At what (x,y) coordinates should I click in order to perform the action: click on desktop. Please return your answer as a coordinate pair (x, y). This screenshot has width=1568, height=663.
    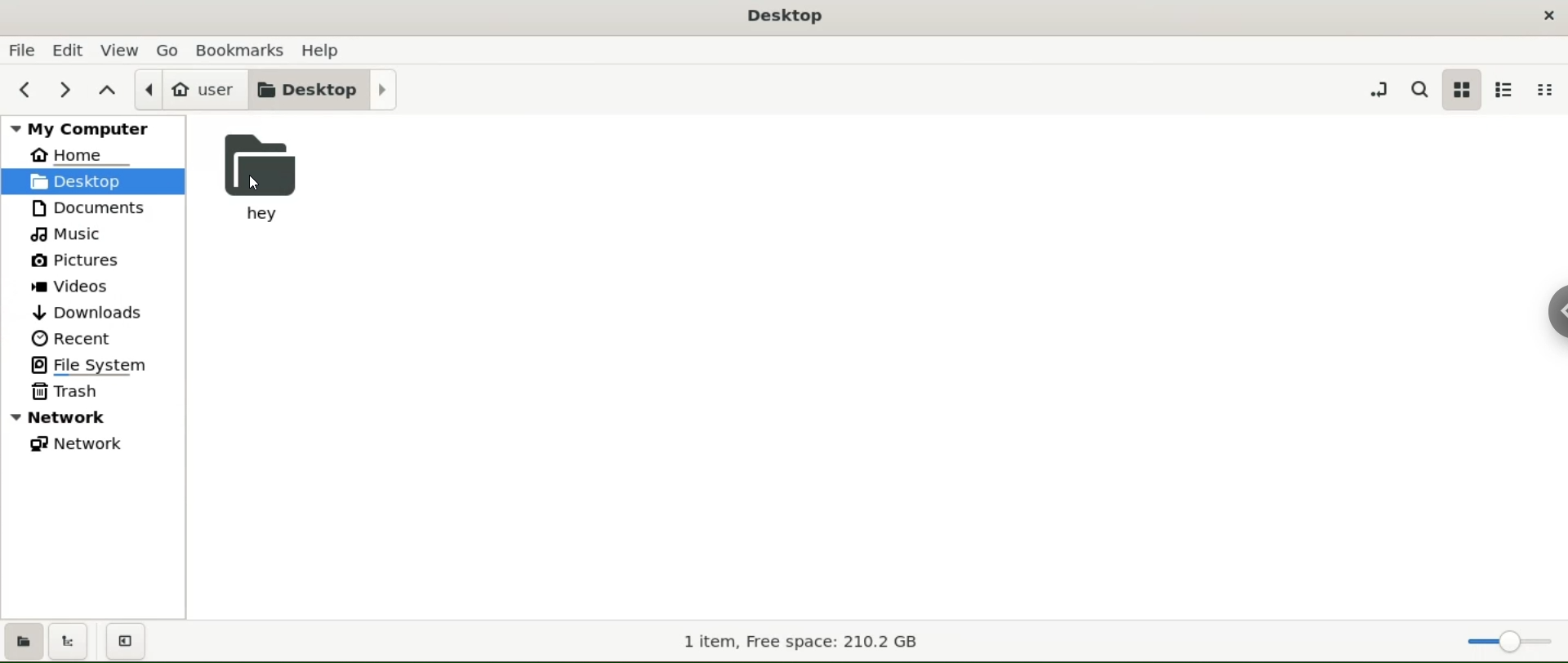
    Looking at the image, I should click on (327, 88).